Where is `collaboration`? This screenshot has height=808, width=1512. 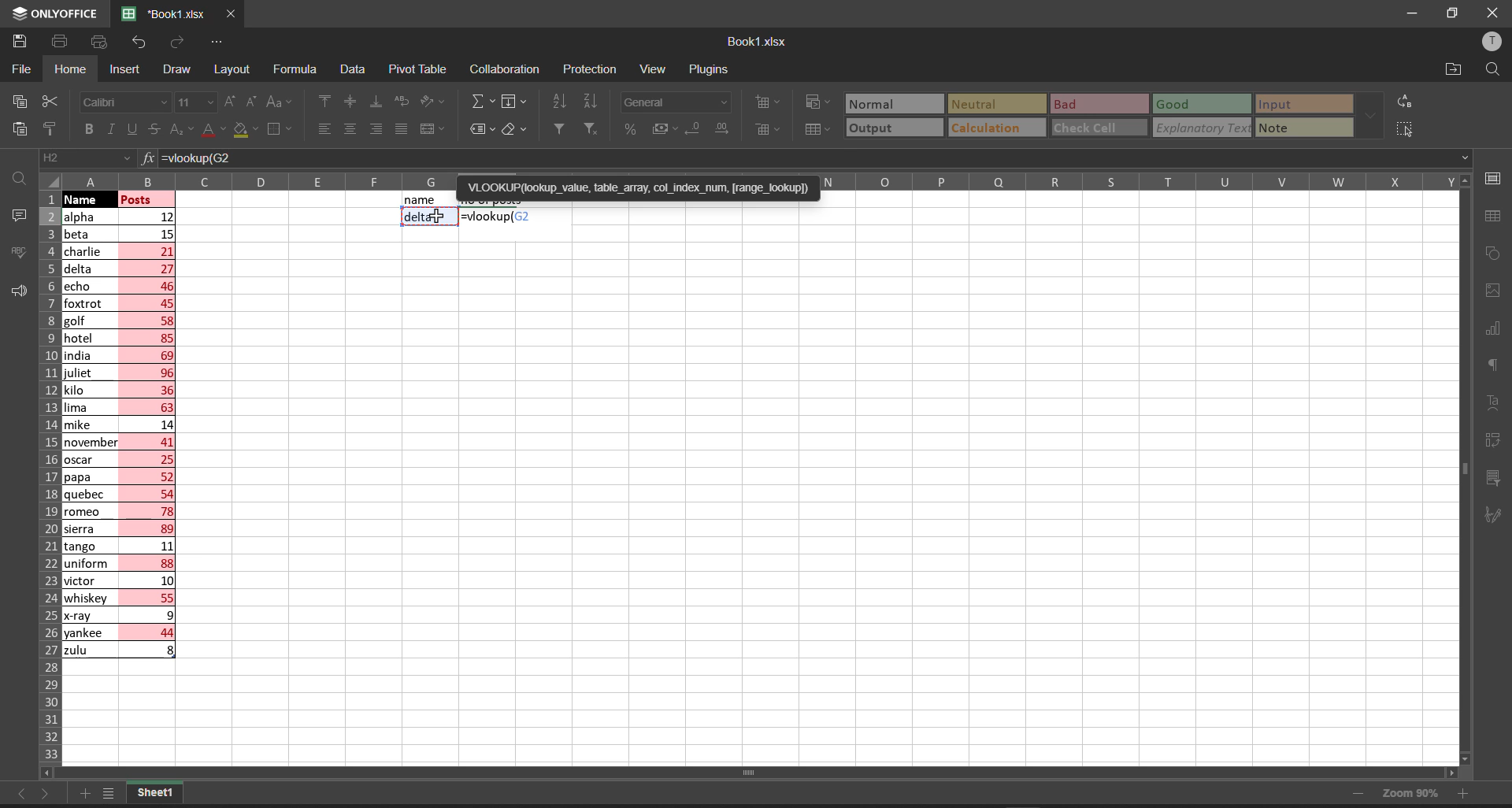 collaboration is located at coordinates (507, 69).